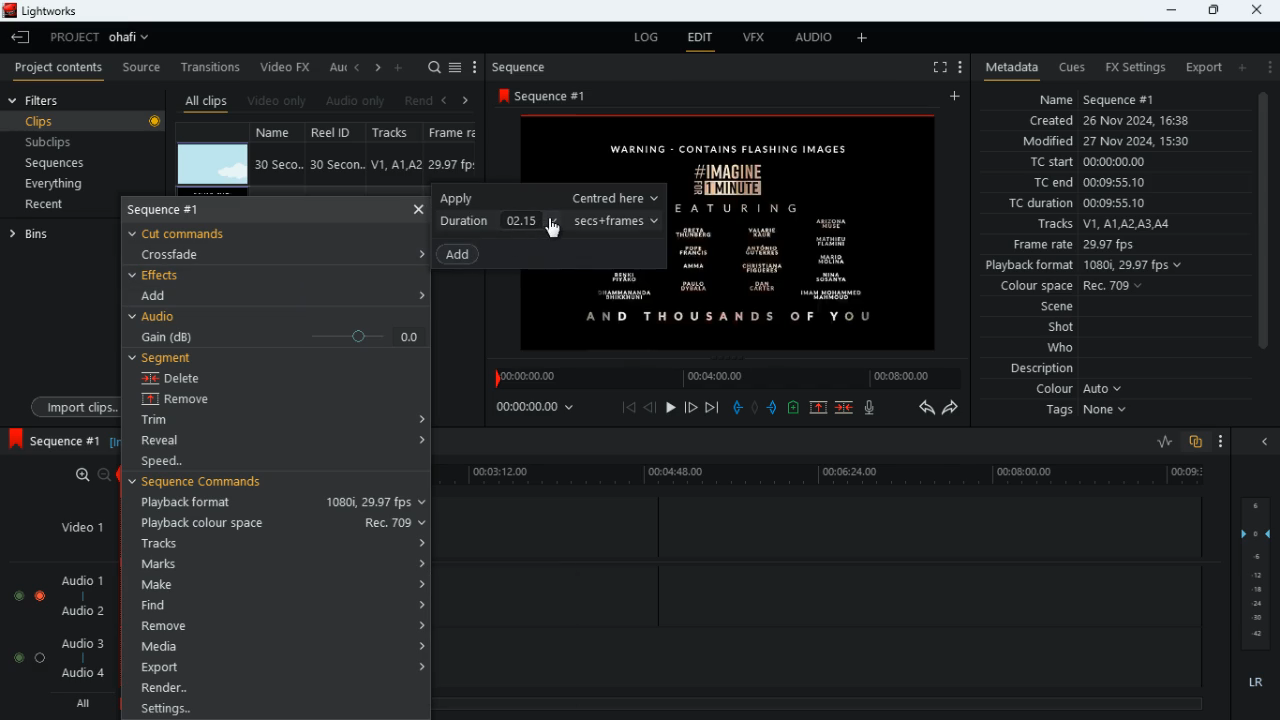  I want to click on minimize, so click(1168, 10).